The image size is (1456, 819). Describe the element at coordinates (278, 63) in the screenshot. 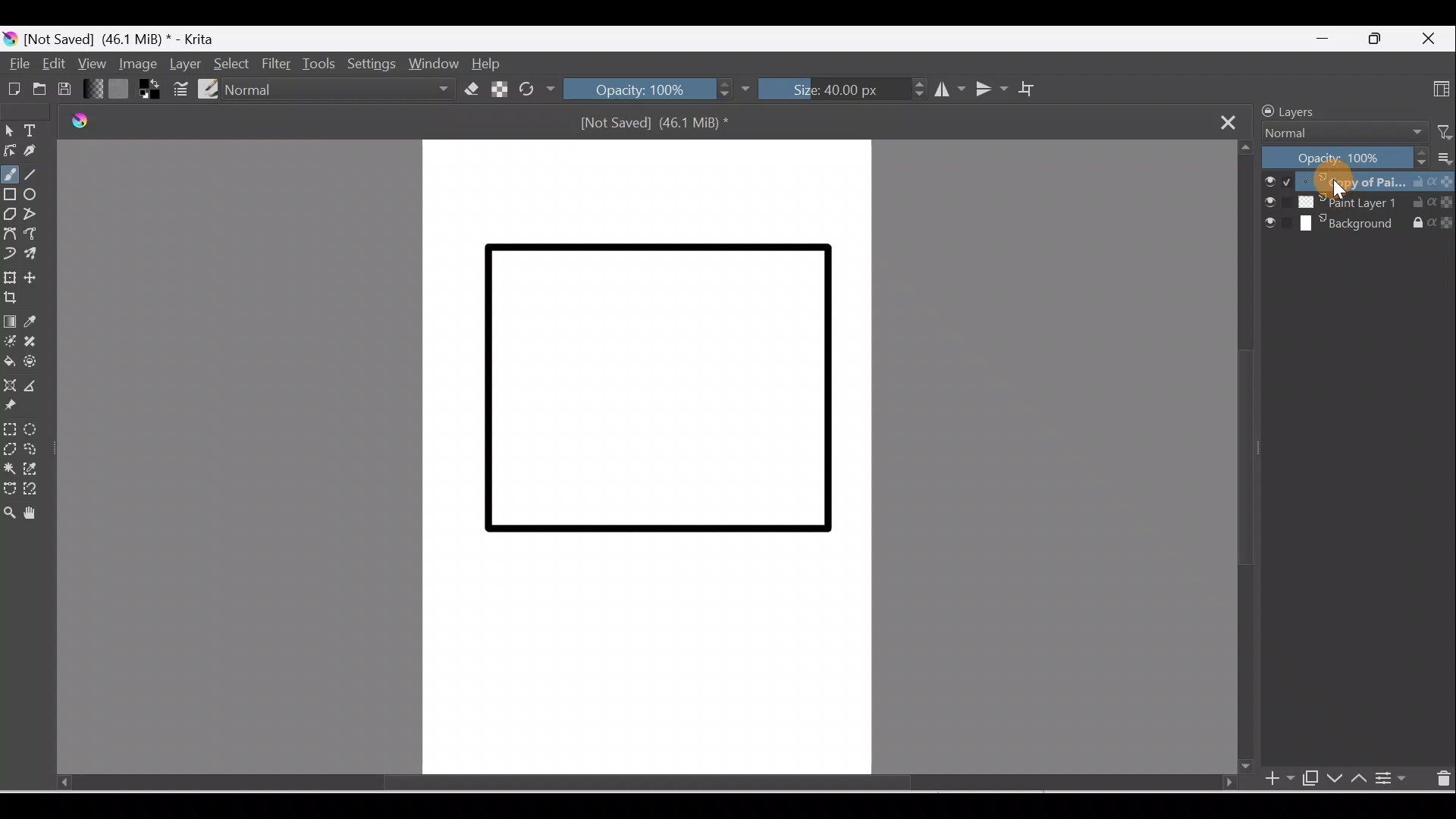

I see `Filter` at that location.